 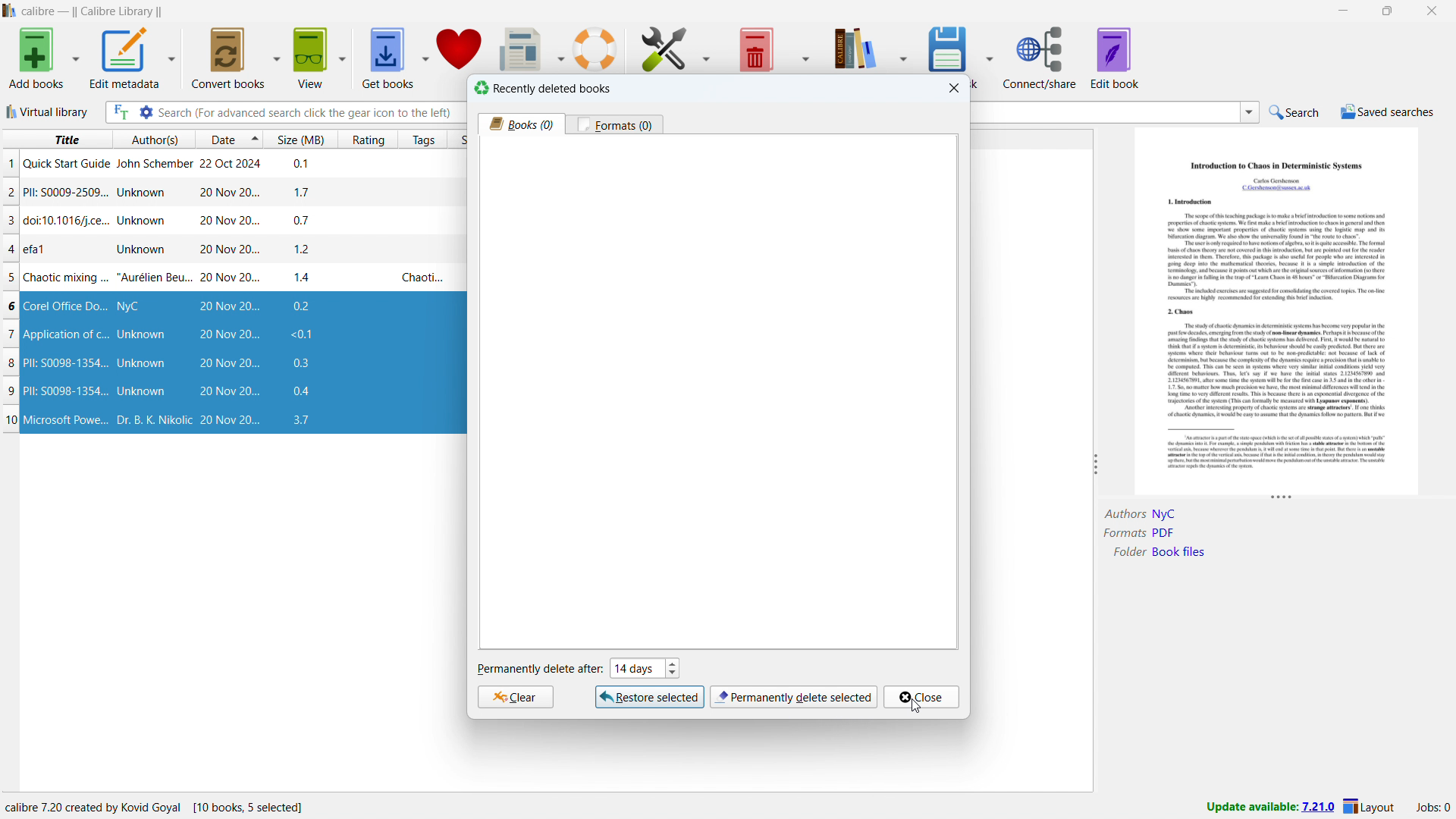 What do you see at coordinates (1432, 808) in the screenshot?
I see `active jobs` at bounding box center [1432, 808].